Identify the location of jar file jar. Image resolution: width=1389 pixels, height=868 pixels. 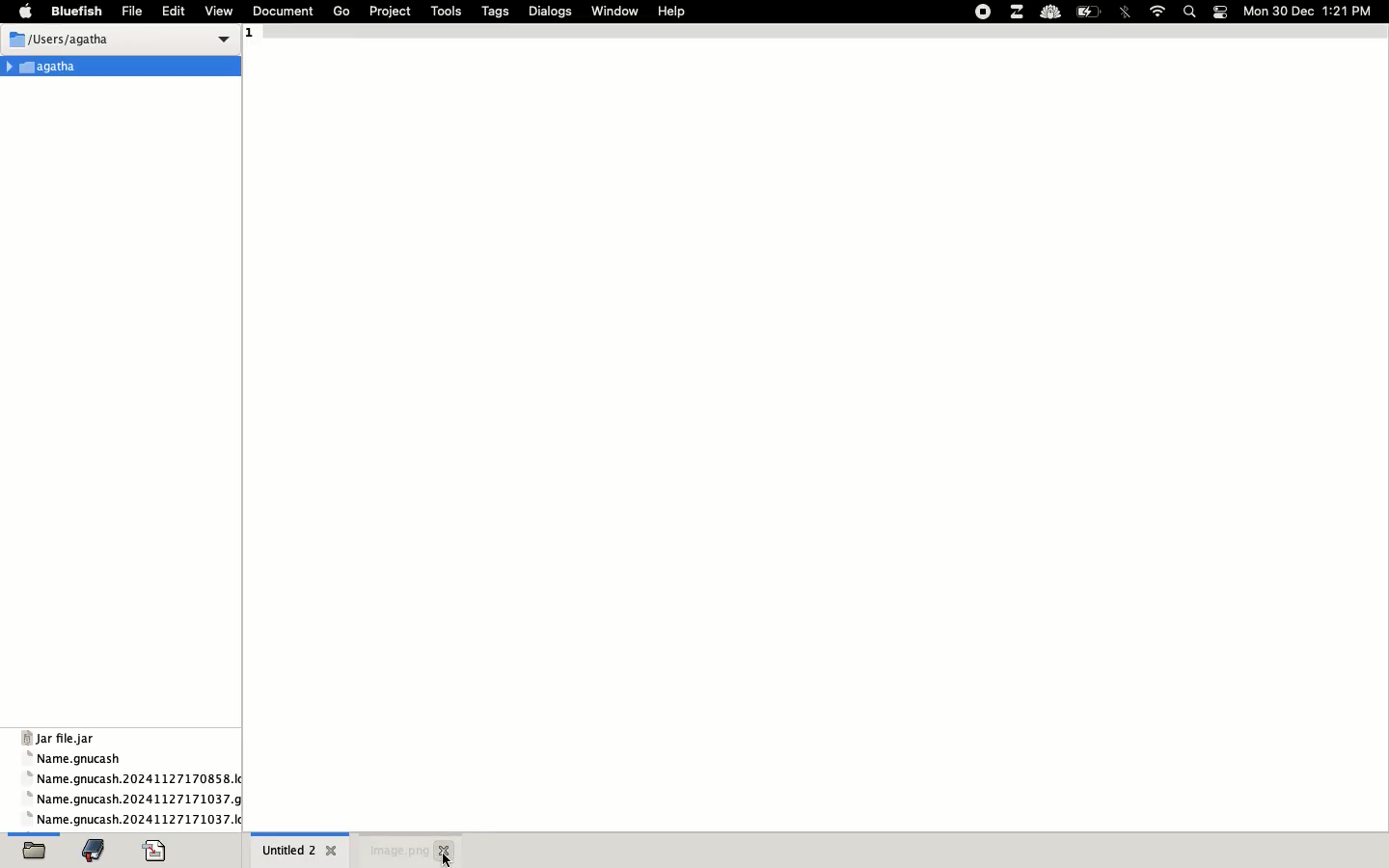
(59, 736).